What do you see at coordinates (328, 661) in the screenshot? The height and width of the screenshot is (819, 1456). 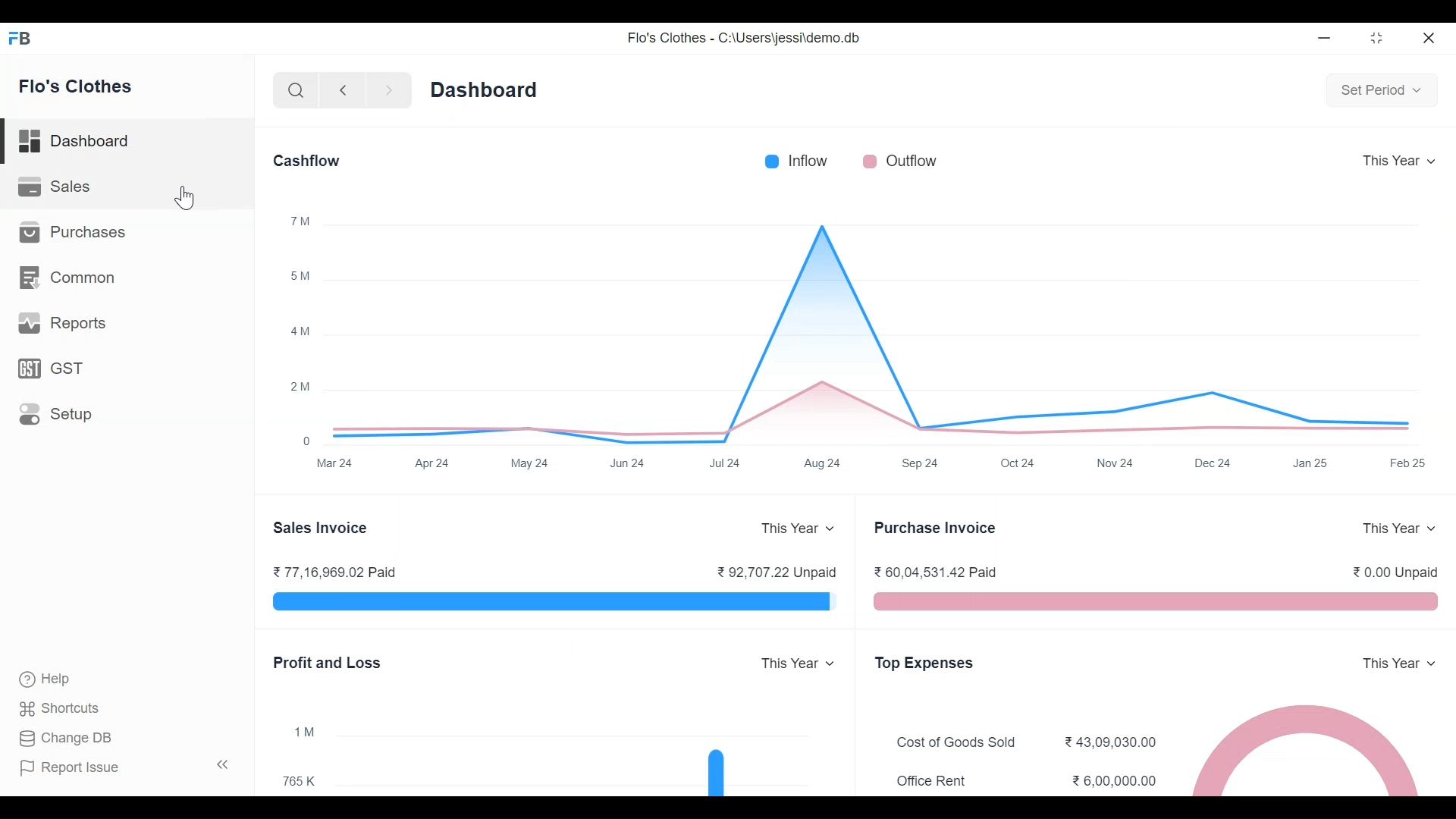 I see `Profit and Loss` at bounding box center [328, 661].